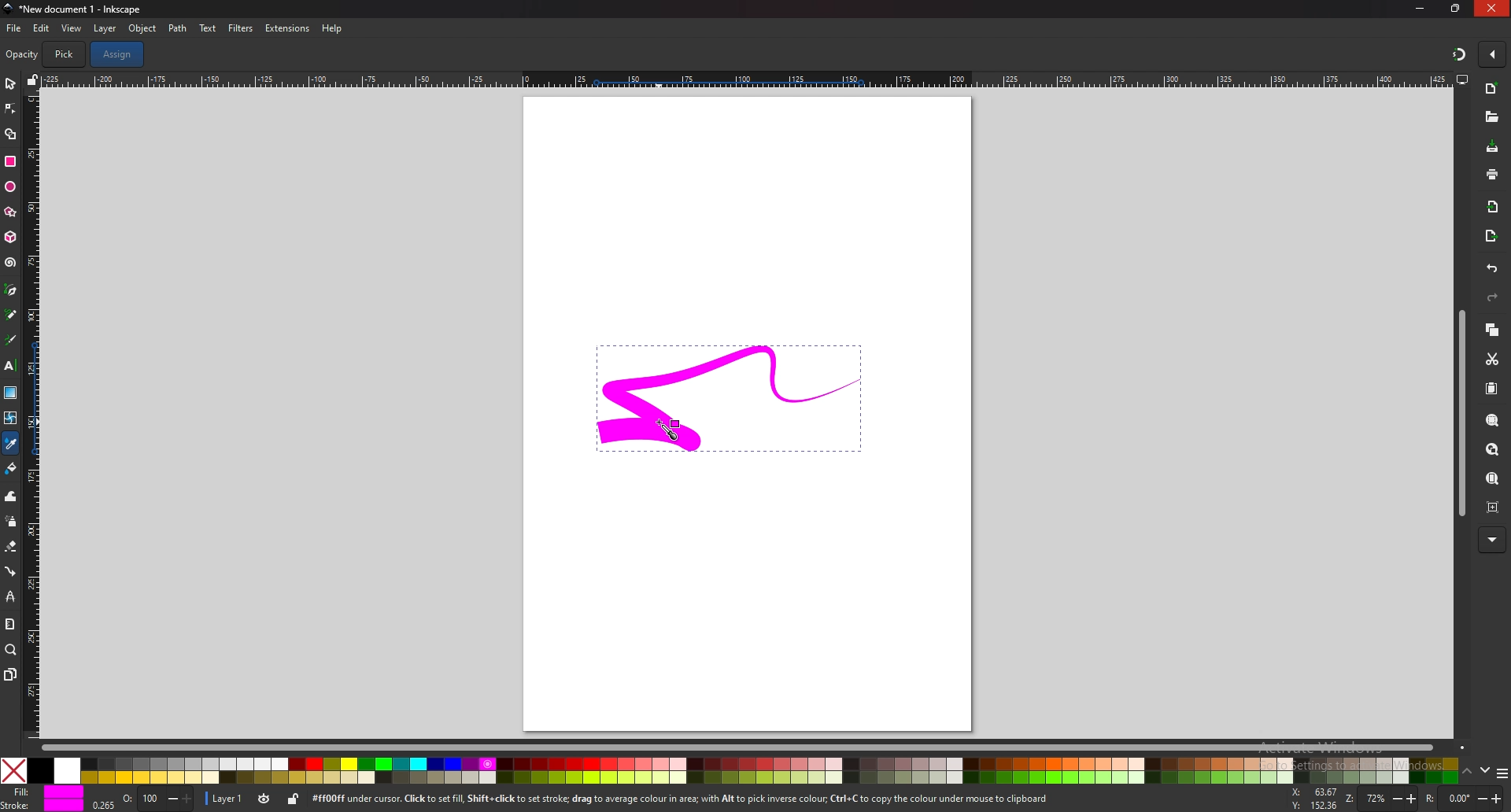  I want to click on redo, so click(1493, 298).